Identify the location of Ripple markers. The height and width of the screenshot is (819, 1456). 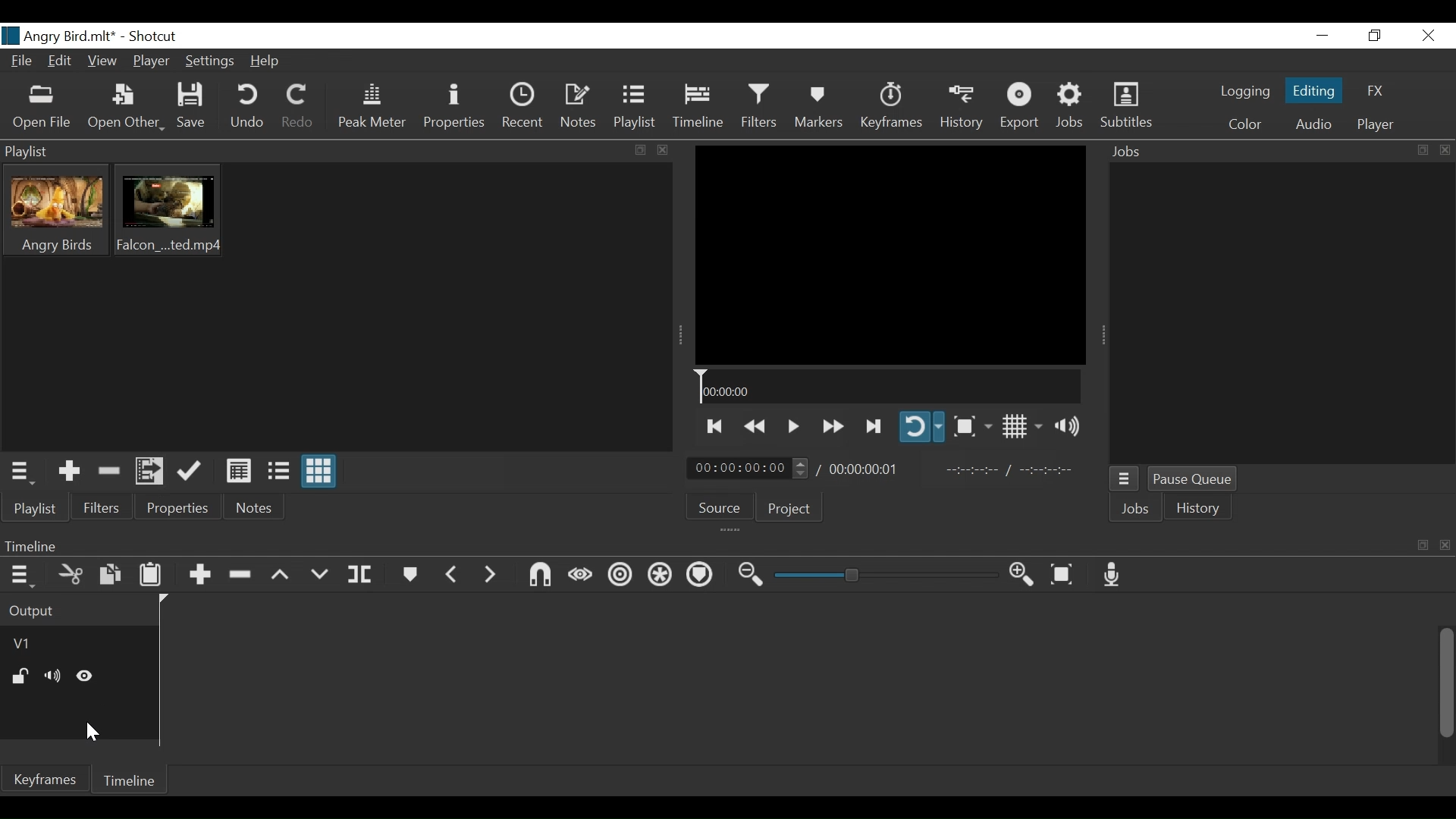
(702, 576).